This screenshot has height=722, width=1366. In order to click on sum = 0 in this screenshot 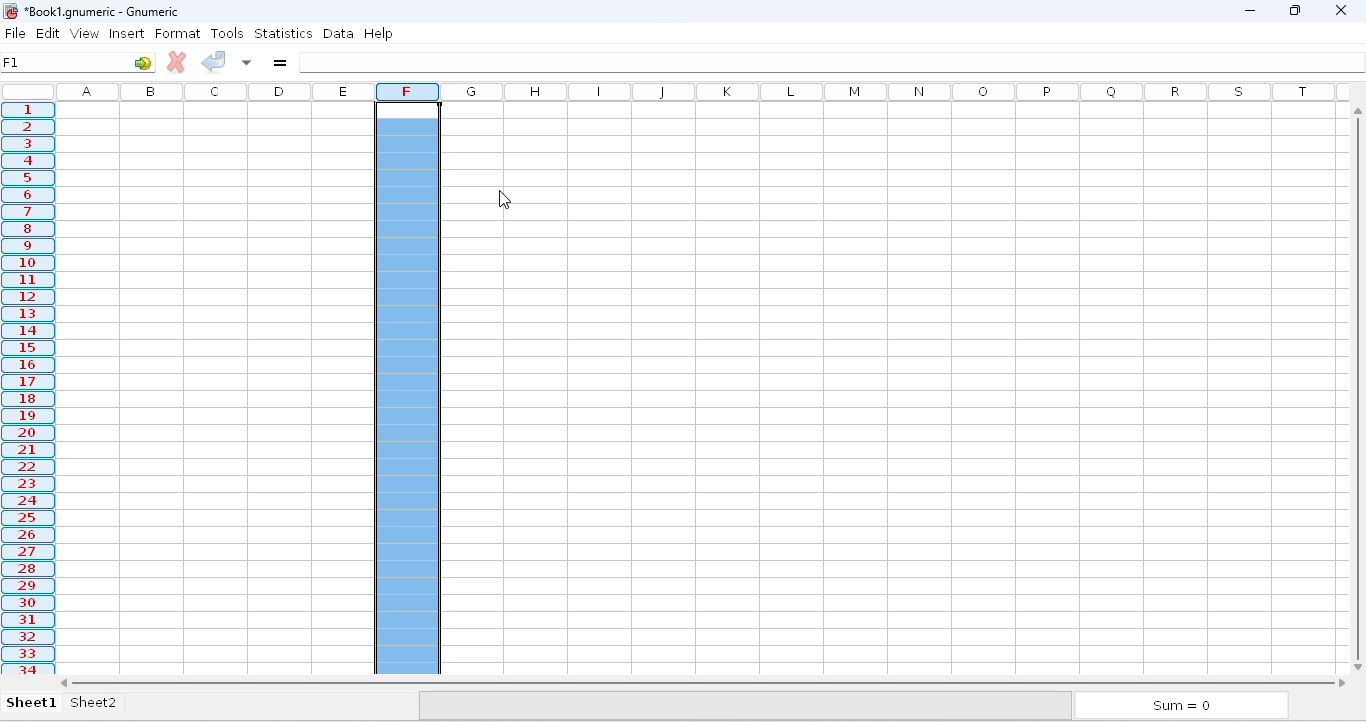, I will do `click(1179, 705)`.